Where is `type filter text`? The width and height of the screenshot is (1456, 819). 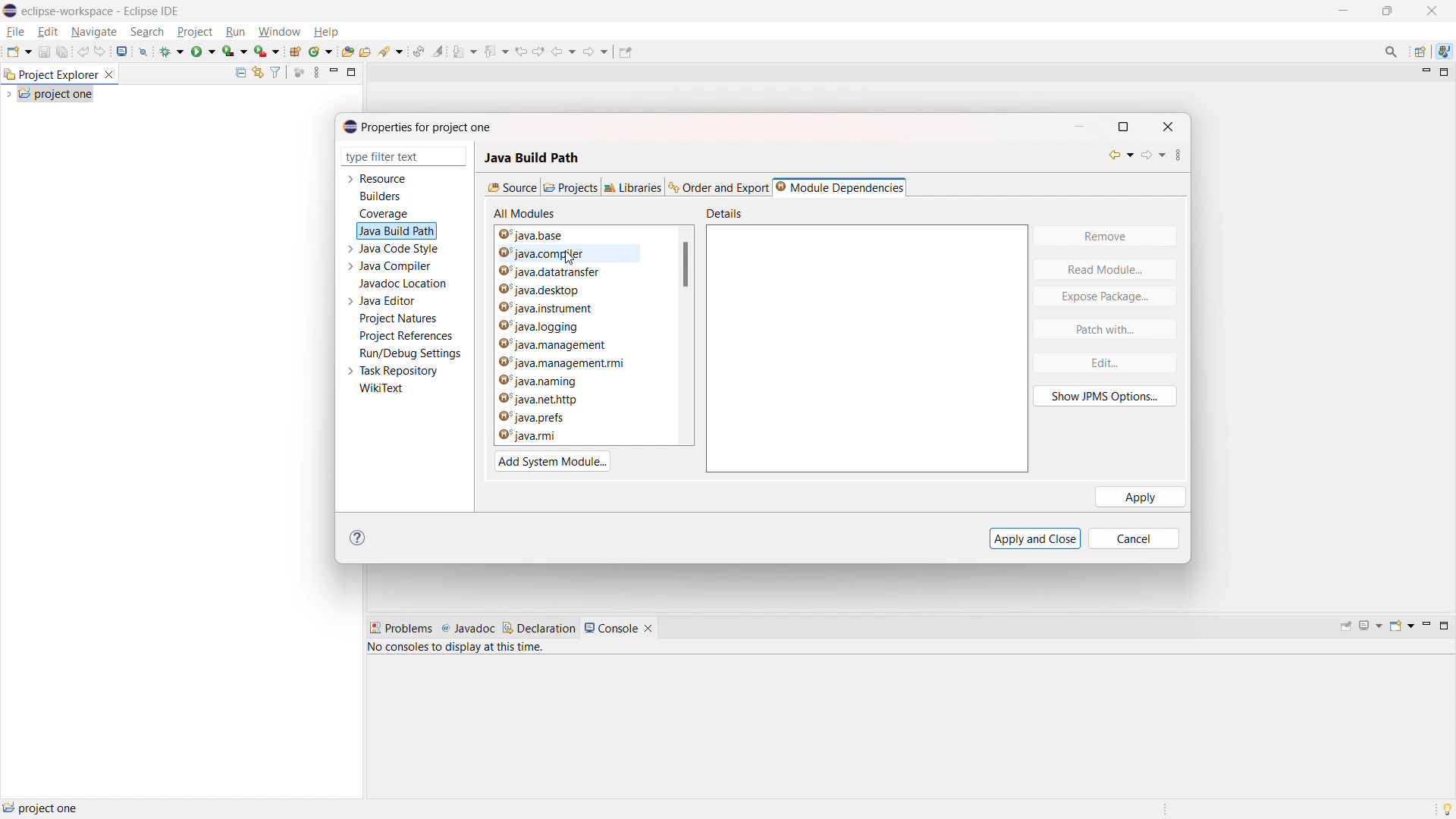
type filter text is located at coordinates (394, 157).